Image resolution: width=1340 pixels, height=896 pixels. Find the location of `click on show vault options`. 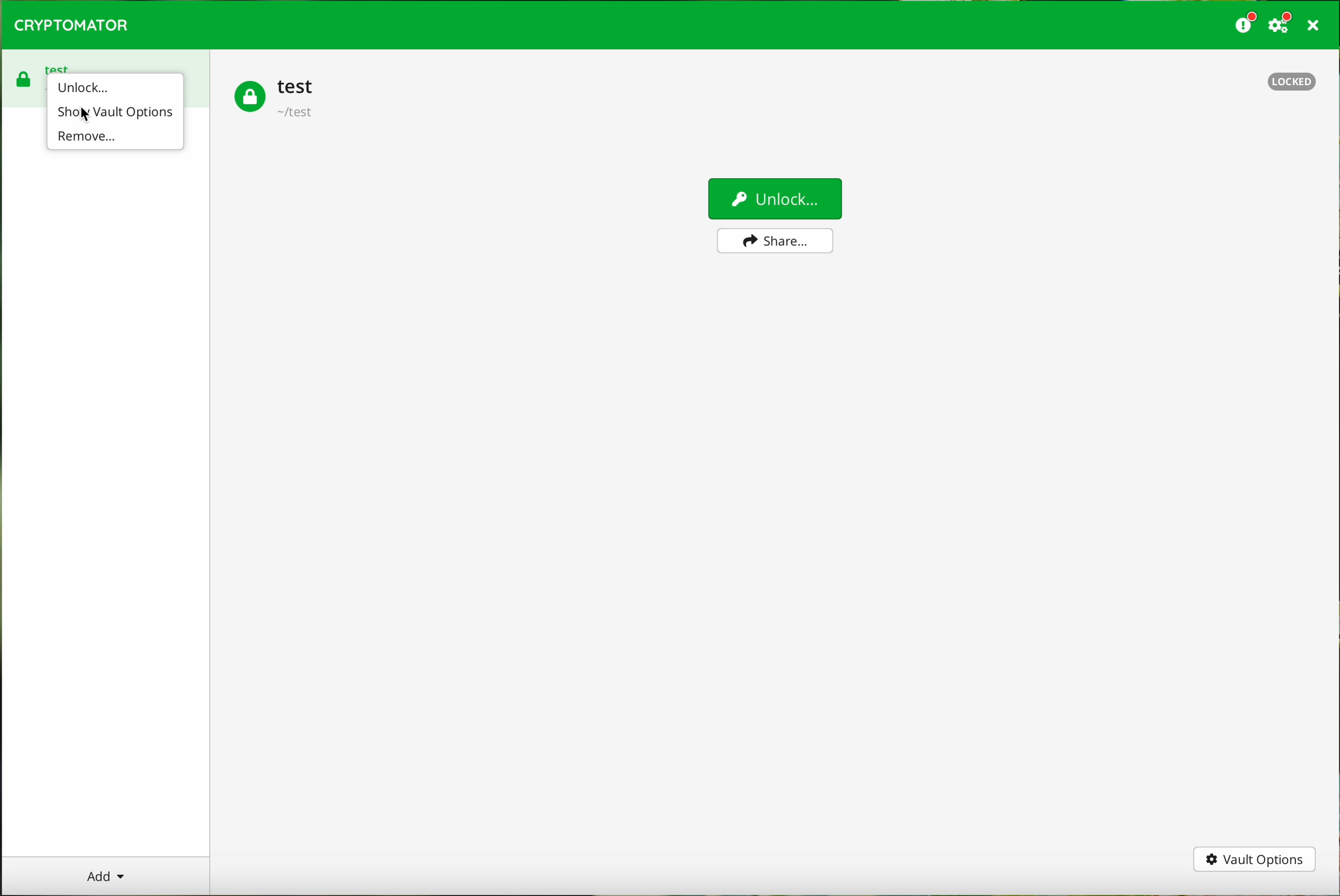

click on show vault options is located at coordinates (116, 113).